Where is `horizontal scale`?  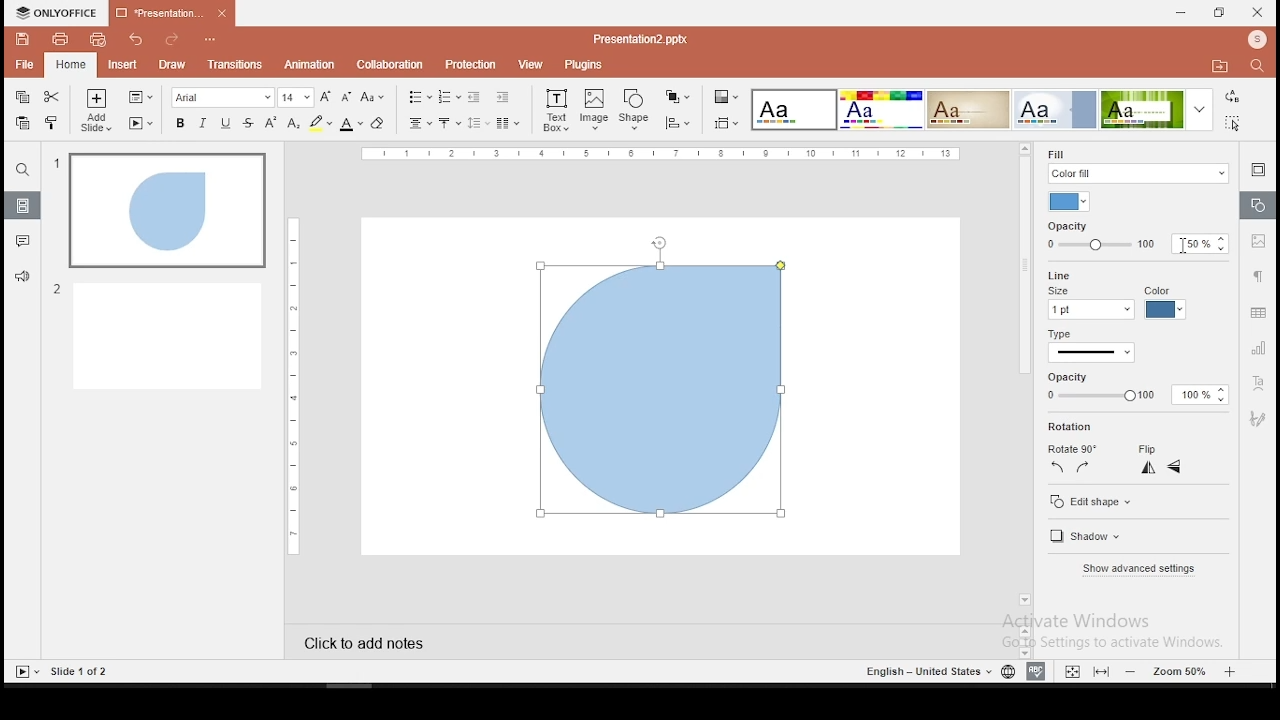 horizontal scale is located at coordinates (290, 385).